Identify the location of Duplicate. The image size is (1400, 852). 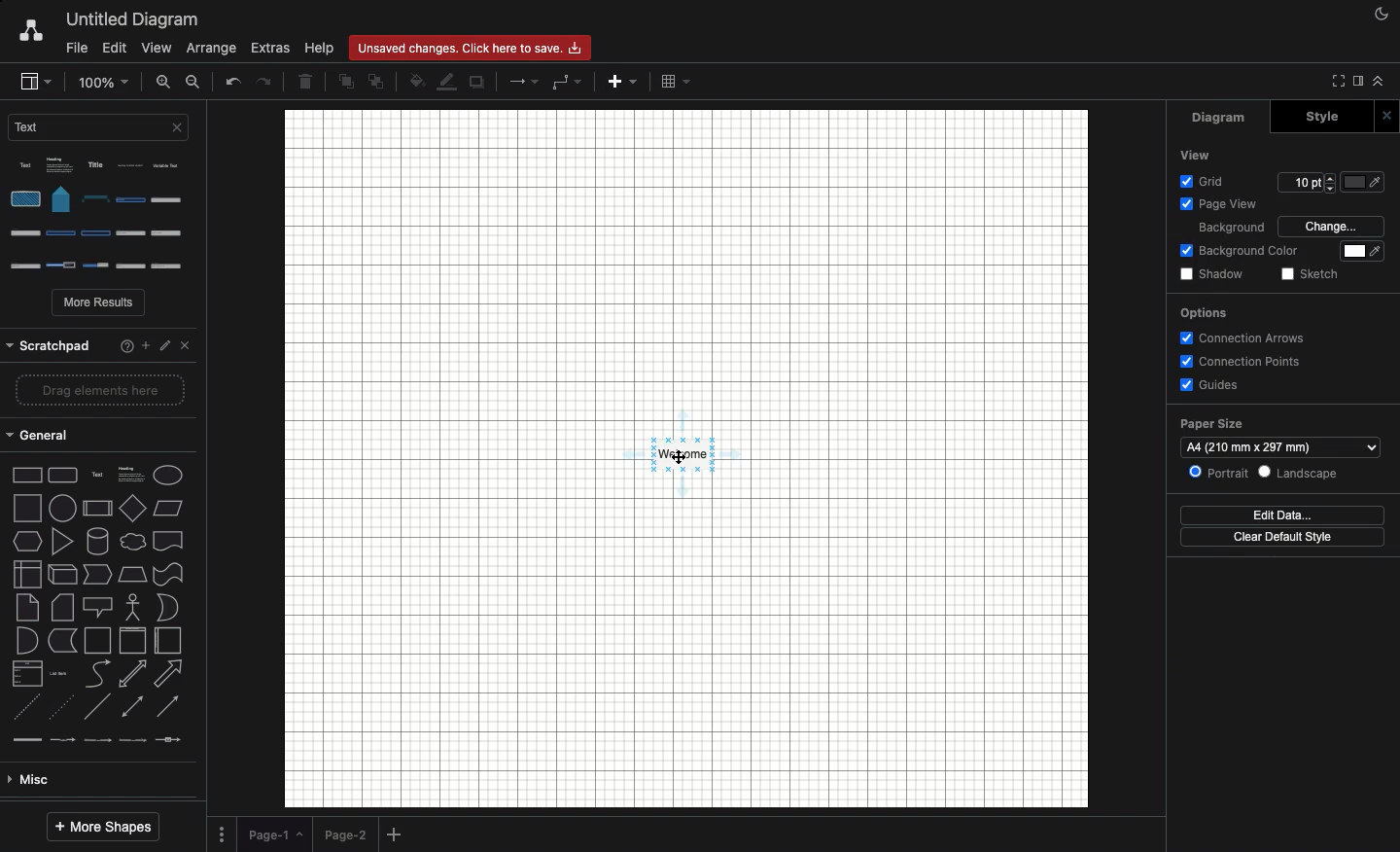
(478, 83).